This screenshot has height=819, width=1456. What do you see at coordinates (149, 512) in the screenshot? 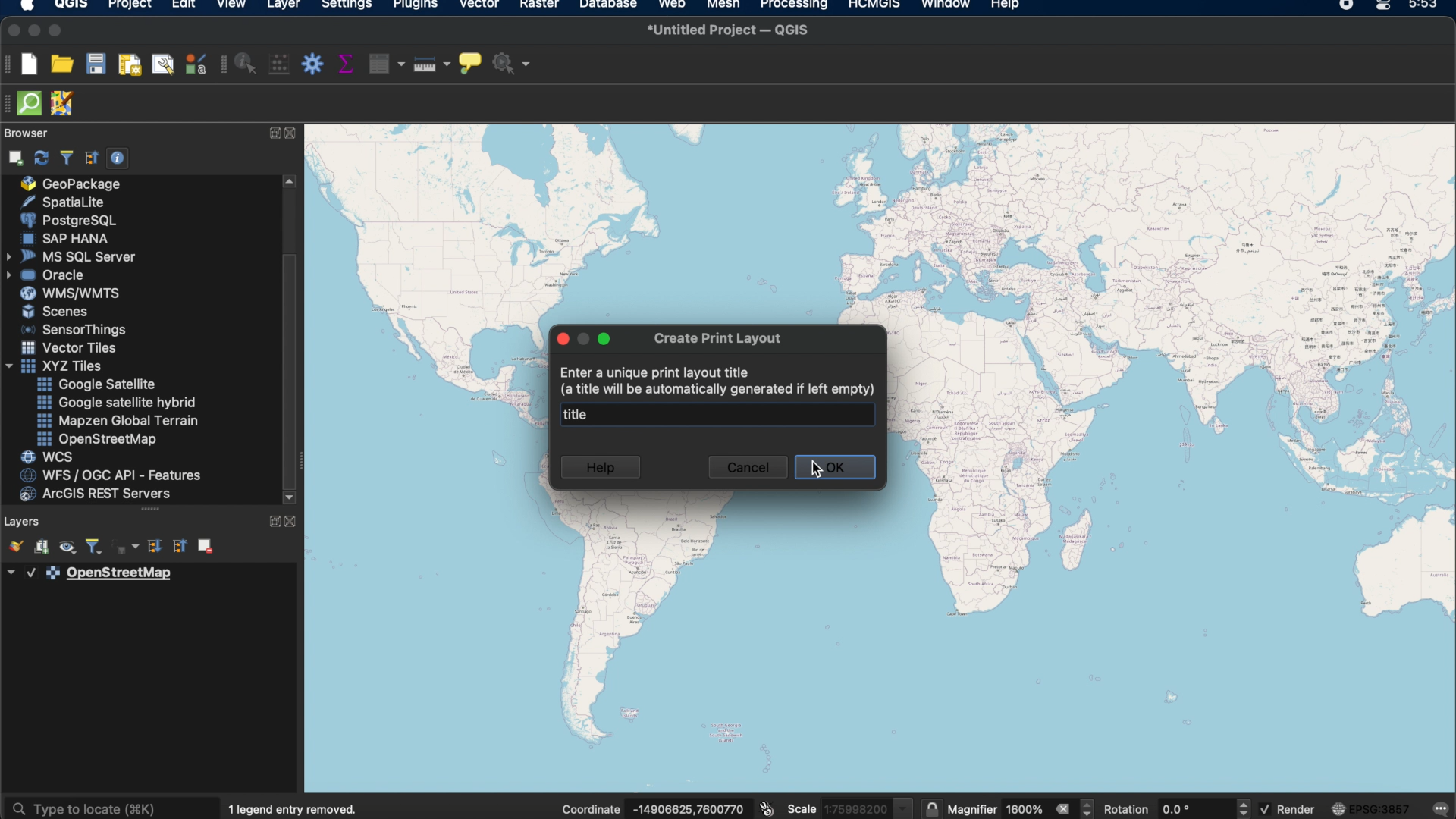
I see `more` at bounding box center [149, 512].